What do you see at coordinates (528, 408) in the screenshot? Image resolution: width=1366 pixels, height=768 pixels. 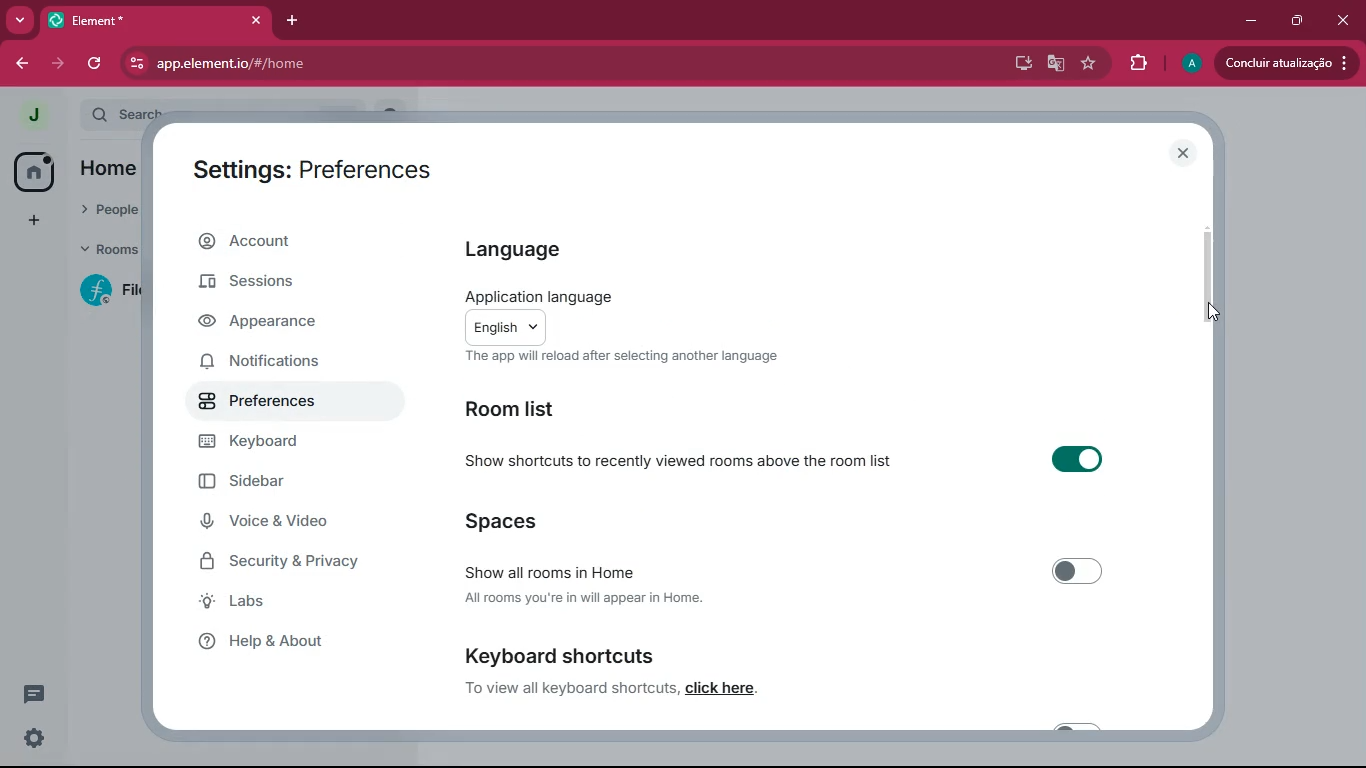 I see `room list` at bounding box center [528, 408].